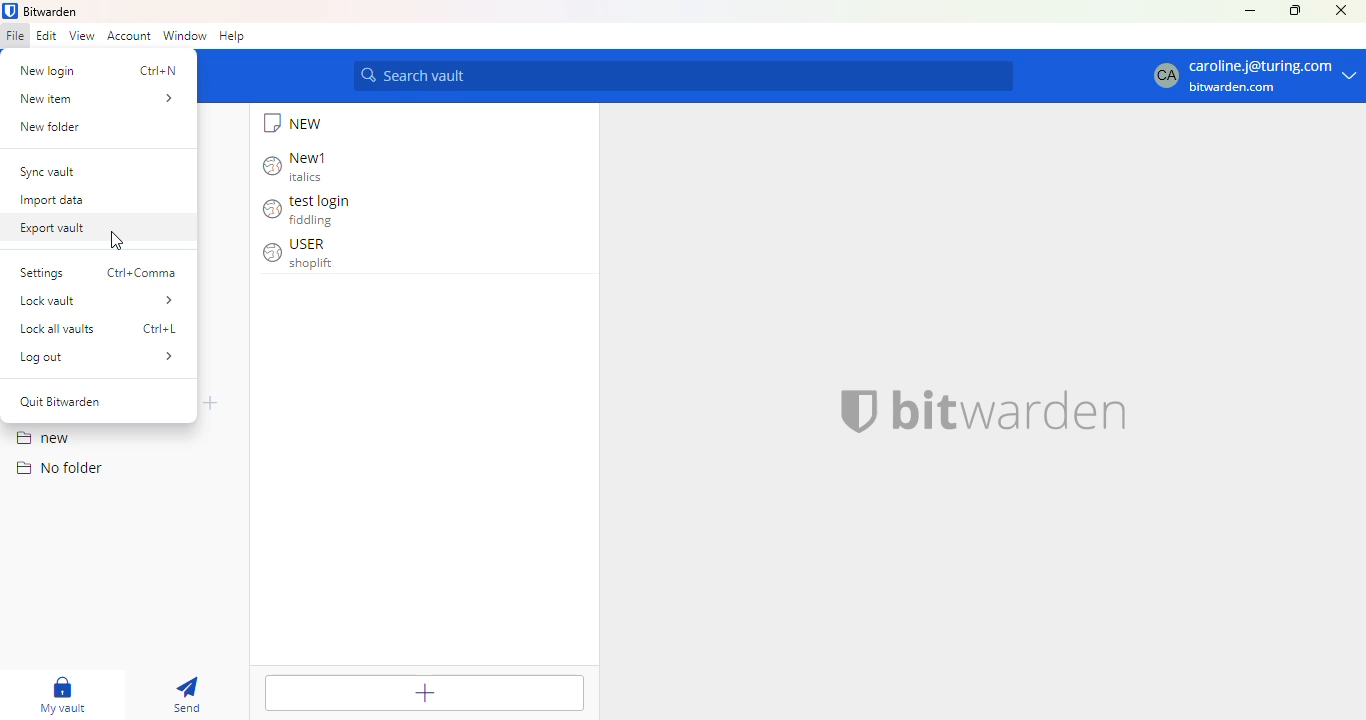 This screenshot has height=720, width=1366. I want to click on logo, so click(10, 11).